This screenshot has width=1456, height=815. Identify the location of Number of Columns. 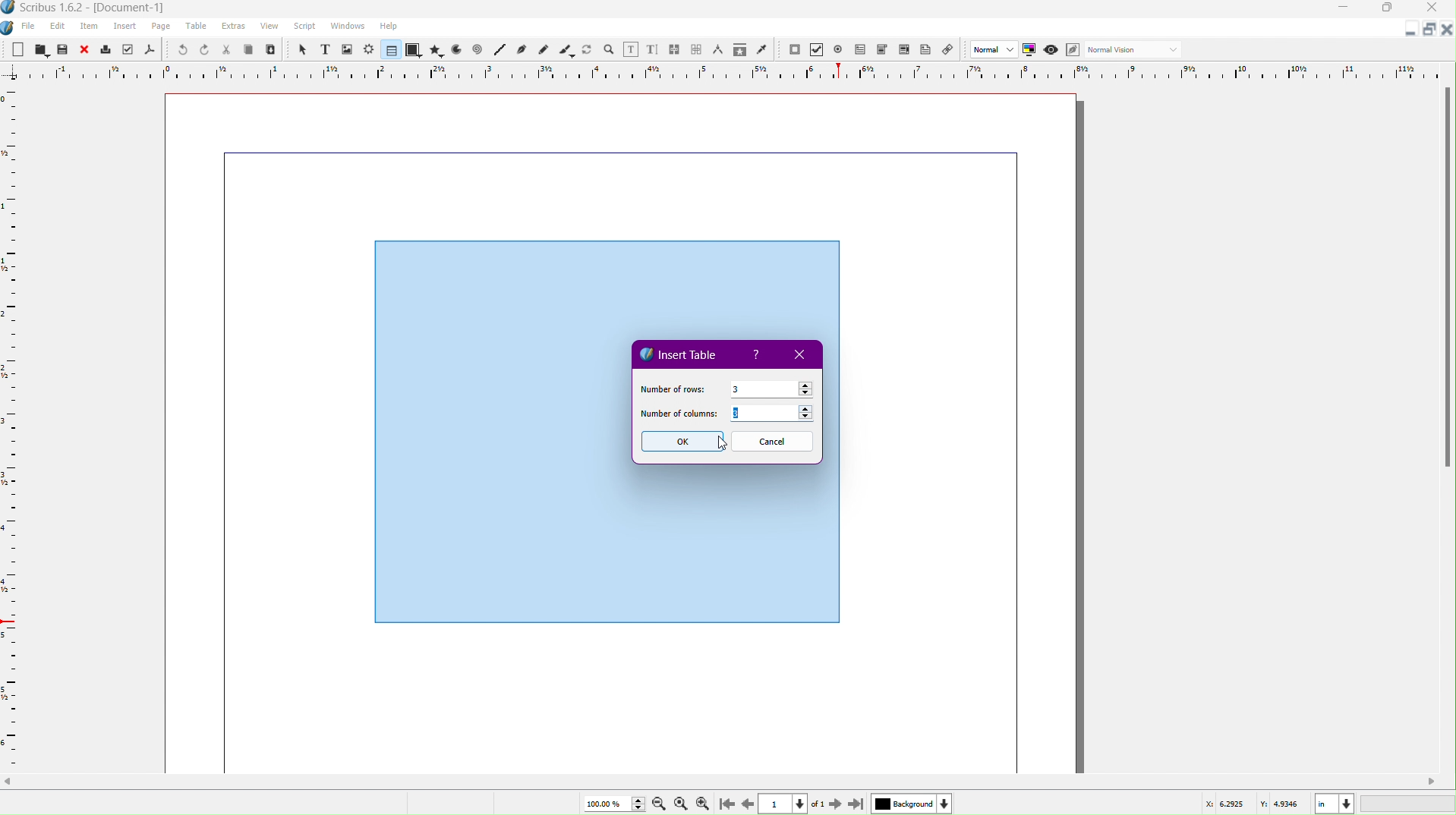
(680, 415).